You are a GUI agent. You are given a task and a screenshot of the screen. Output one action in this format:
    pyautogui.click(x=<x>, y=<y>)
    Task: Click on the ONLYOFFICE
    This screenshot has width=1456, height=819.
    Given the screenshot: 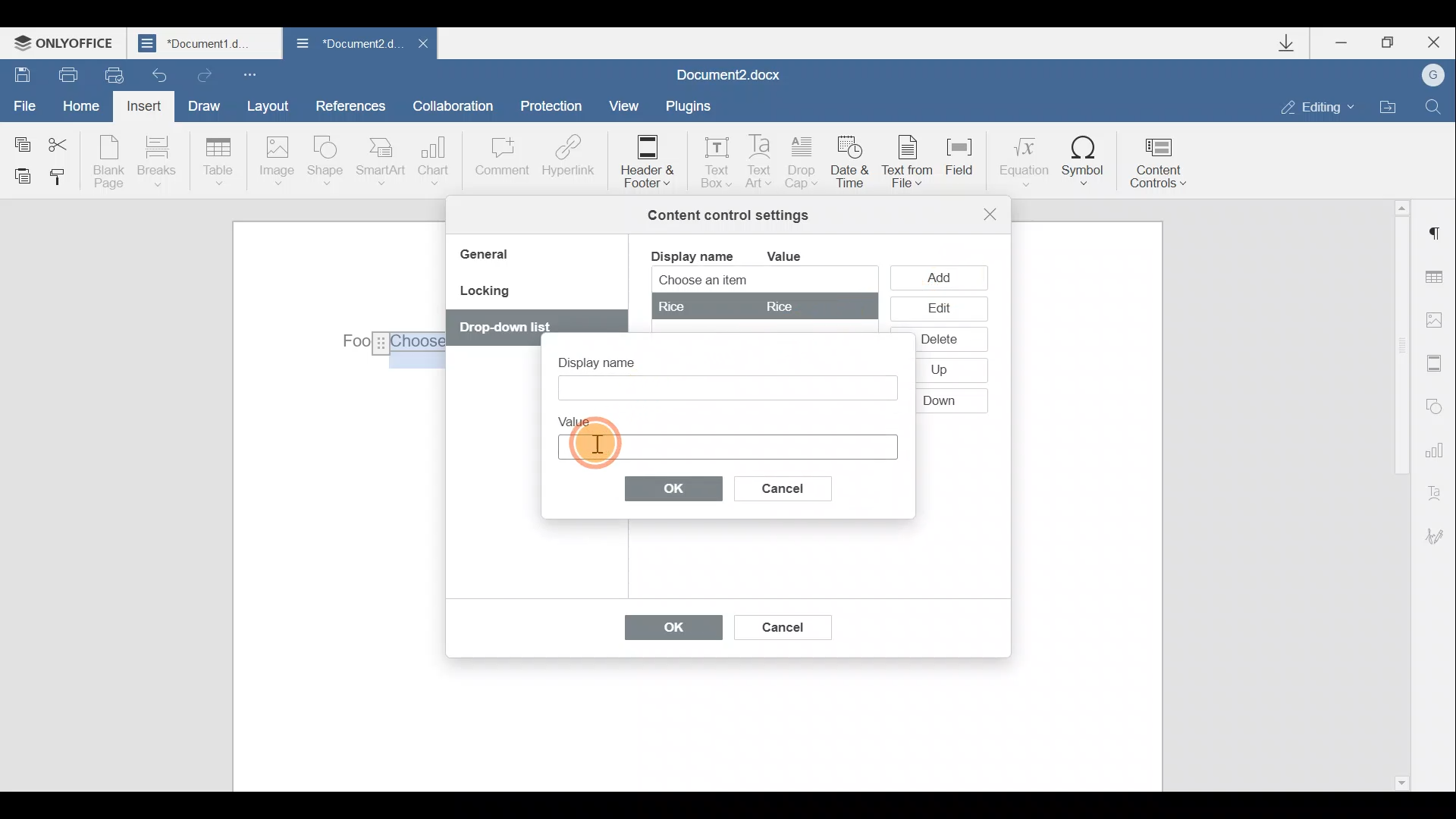 What is the action you would take?
    pyautogui.click(x=67, y=42)
    